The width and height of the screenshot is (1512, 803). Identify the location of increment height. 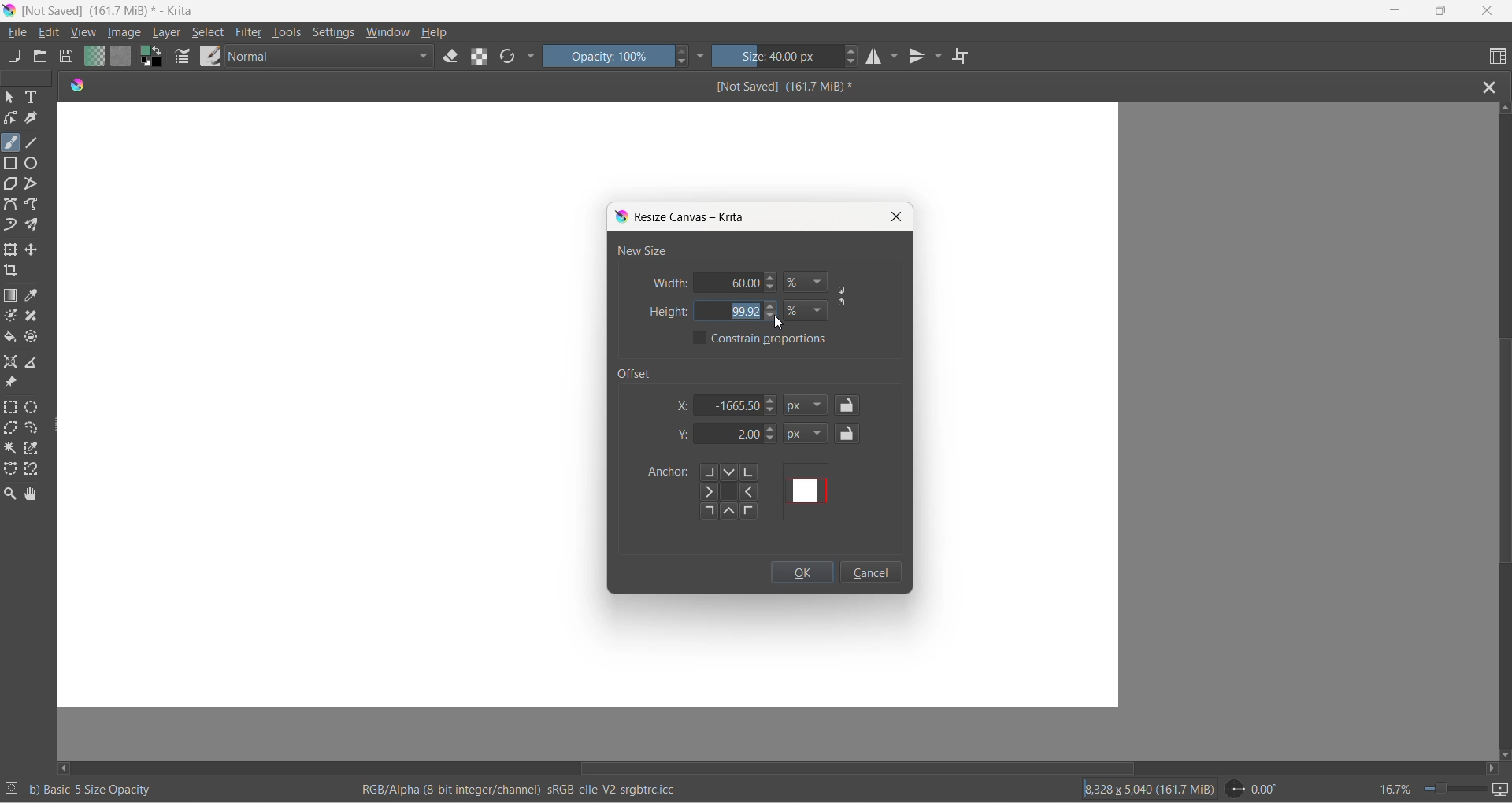
(773, 306).